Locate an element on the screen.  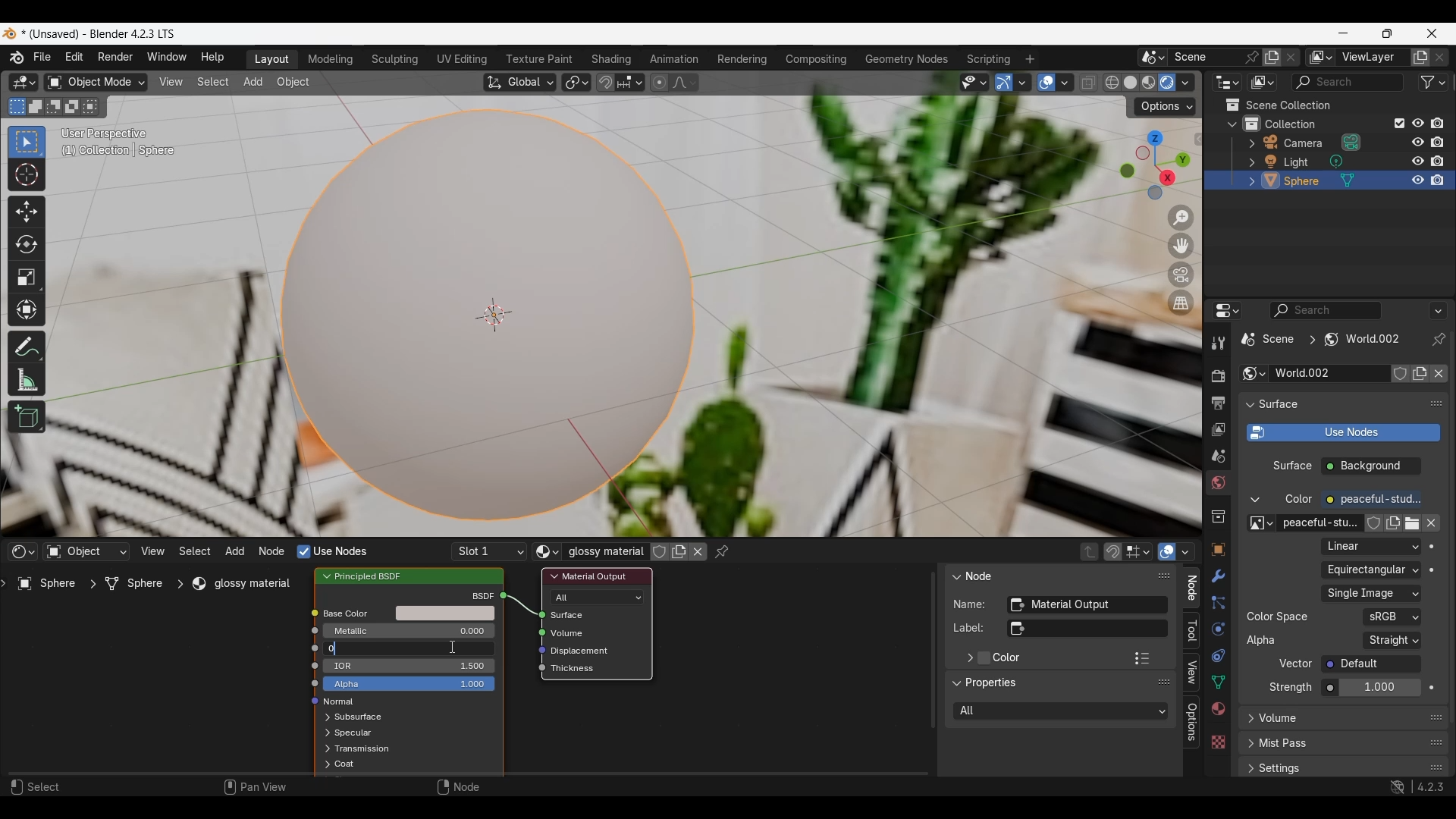
List of slots is located at coordinates (489, 552).